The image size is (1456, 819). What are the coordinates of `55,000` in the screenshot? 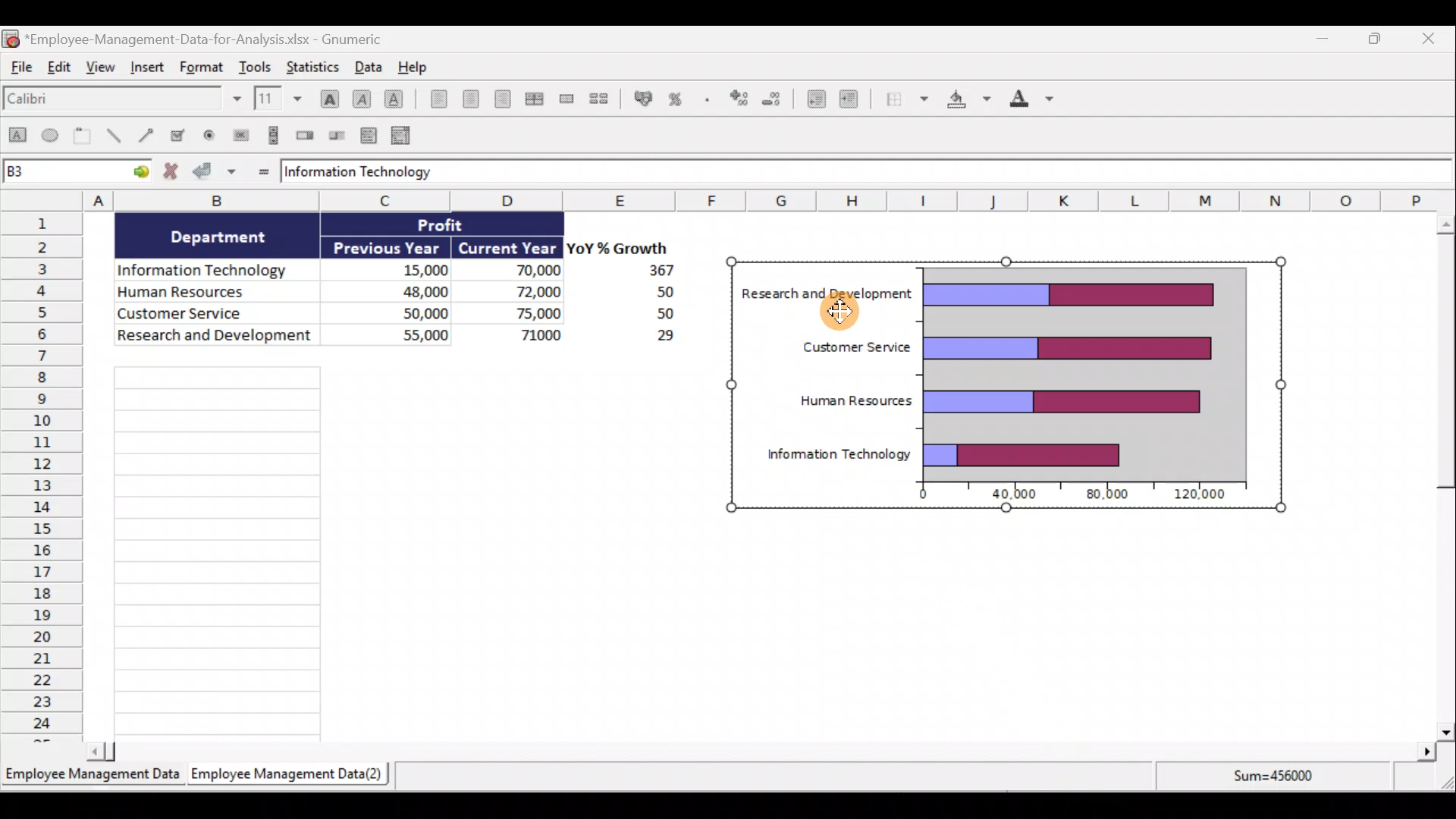 It's located at (406, 334).